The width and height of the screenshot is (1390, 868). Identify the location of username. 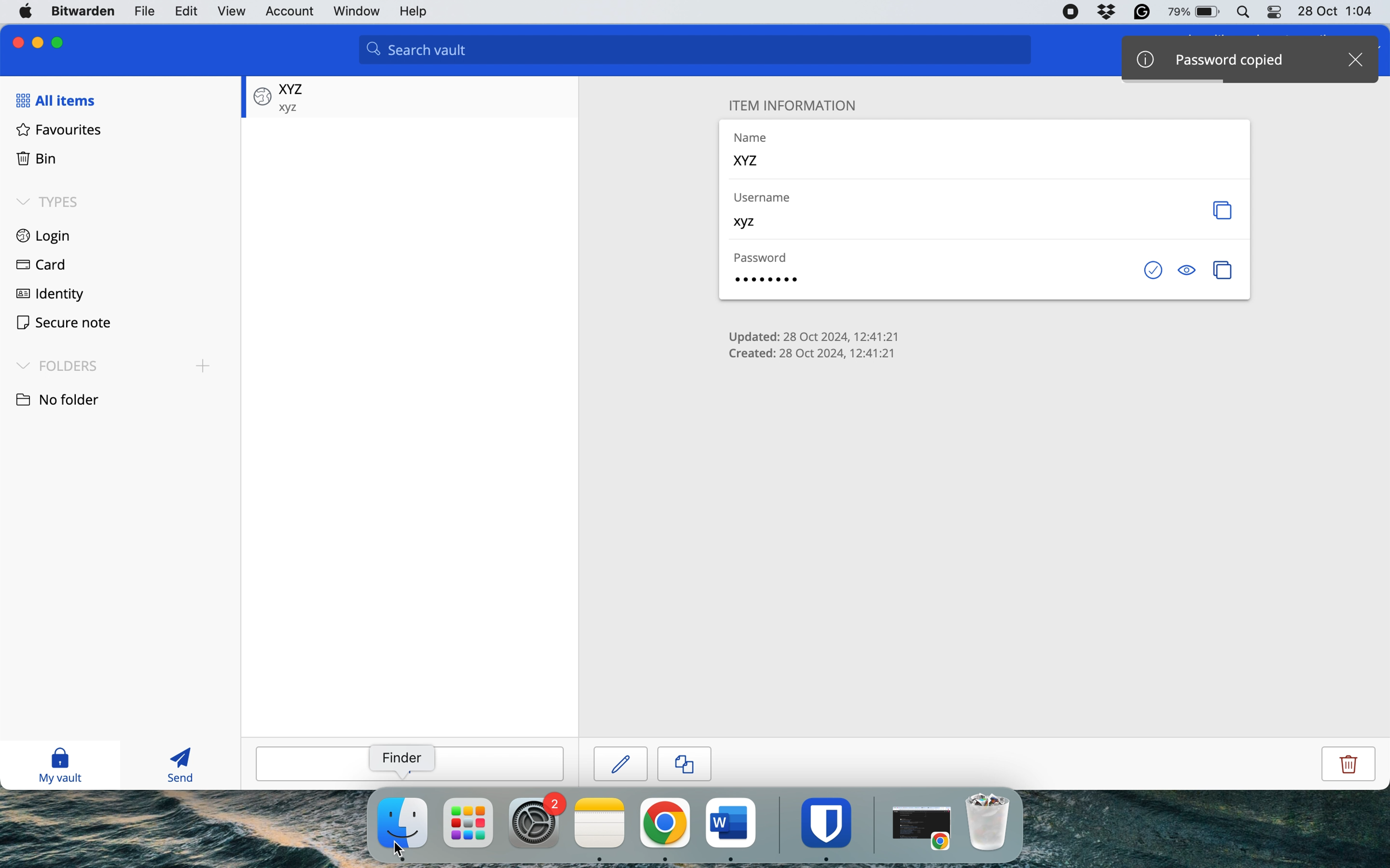
(760, 211).